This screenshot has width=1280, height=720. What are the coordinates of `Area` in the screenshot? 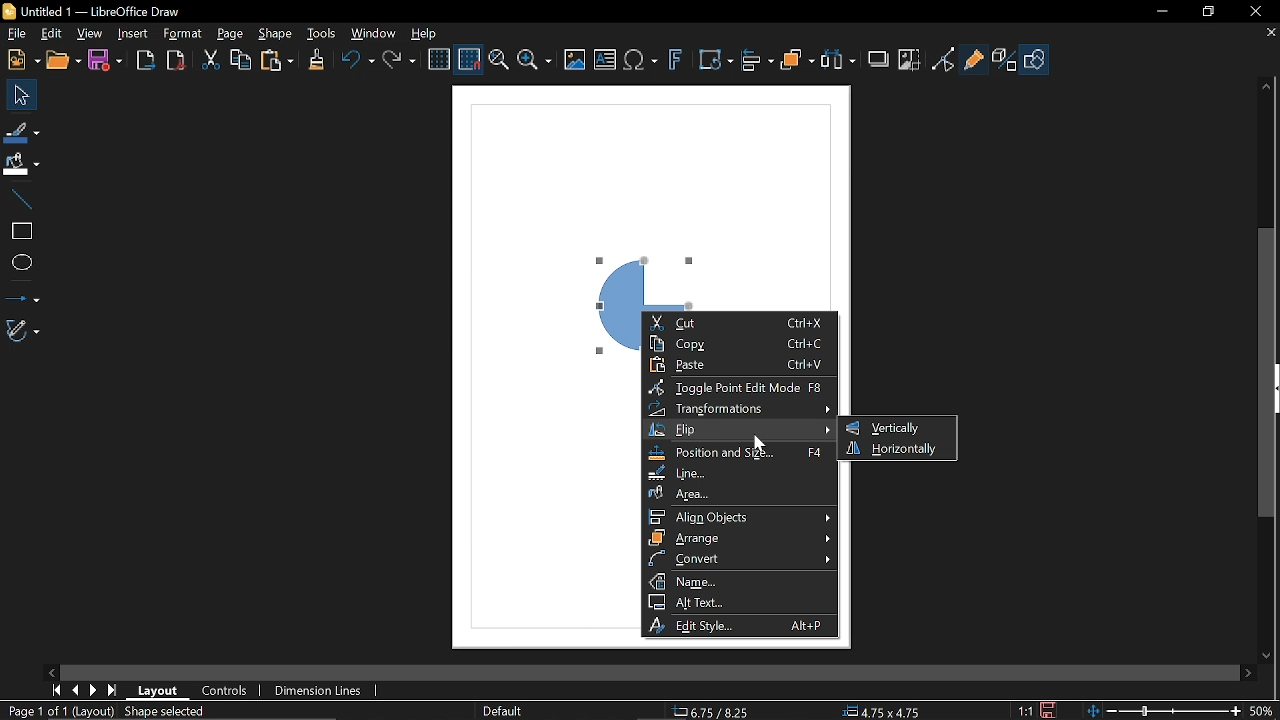 It's located at (738, 493).